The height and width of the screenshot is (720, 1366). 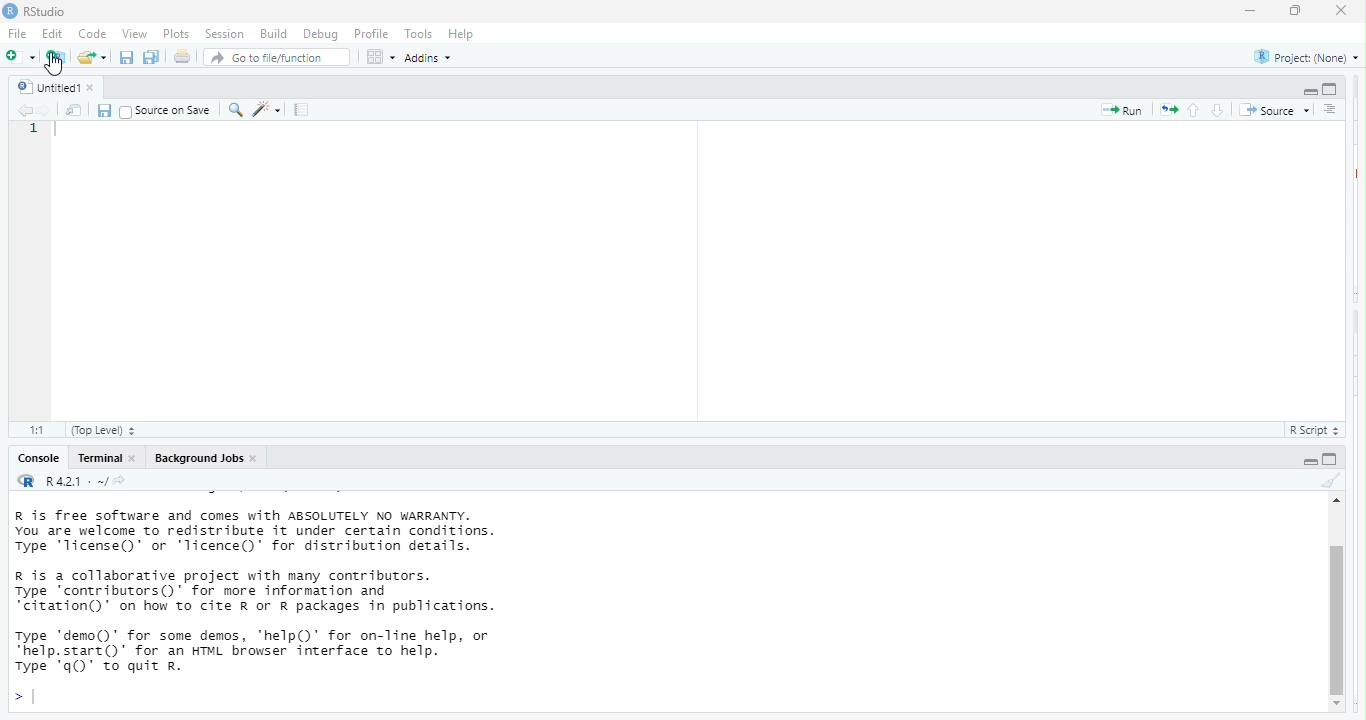 I want to click on find /replace, so click(x=235, y=110).